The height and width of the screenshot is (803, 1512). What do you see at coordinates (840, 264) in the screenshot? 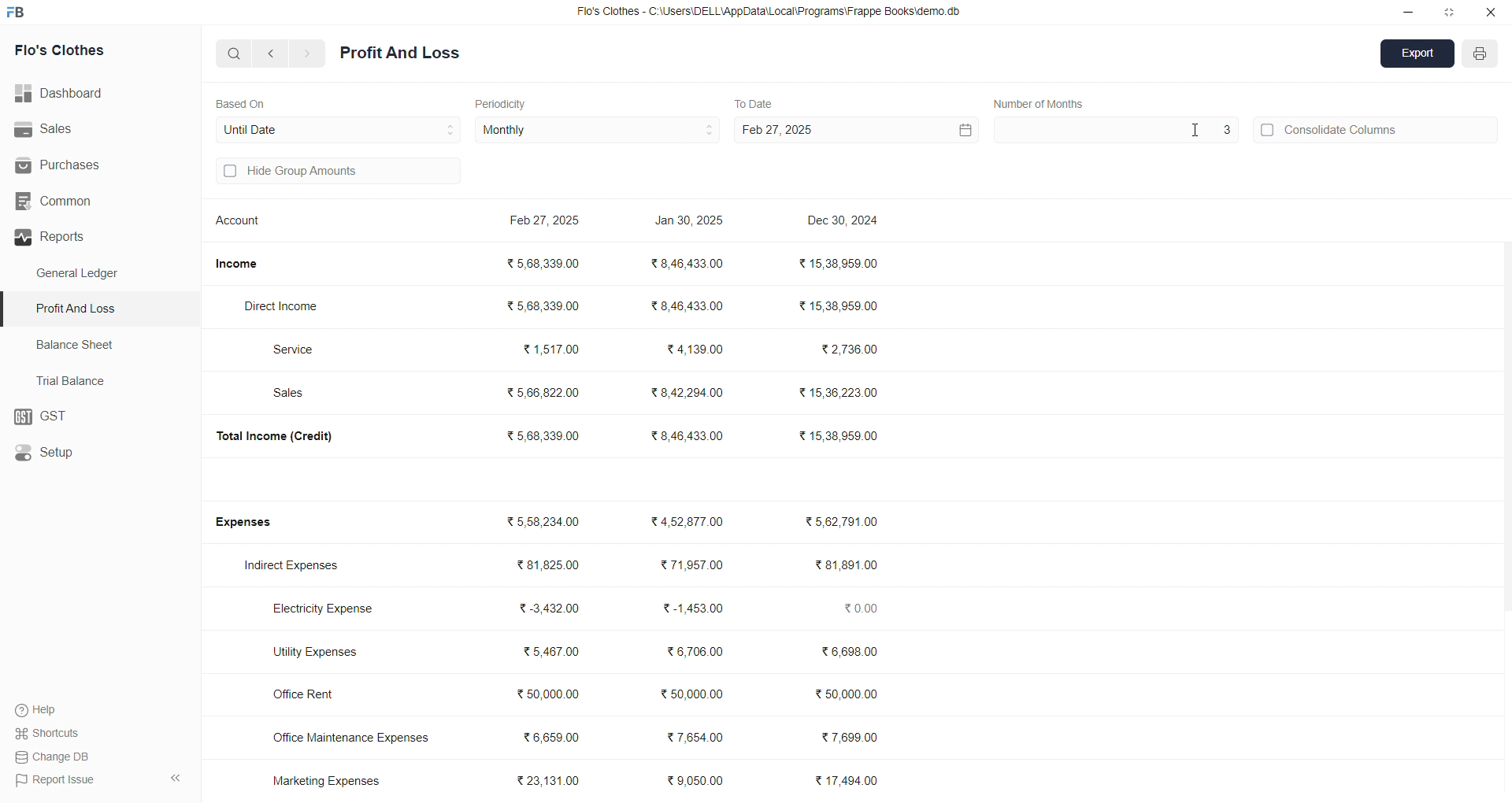
I see `₹15,38,959.00` at bounding box center [840, 264].